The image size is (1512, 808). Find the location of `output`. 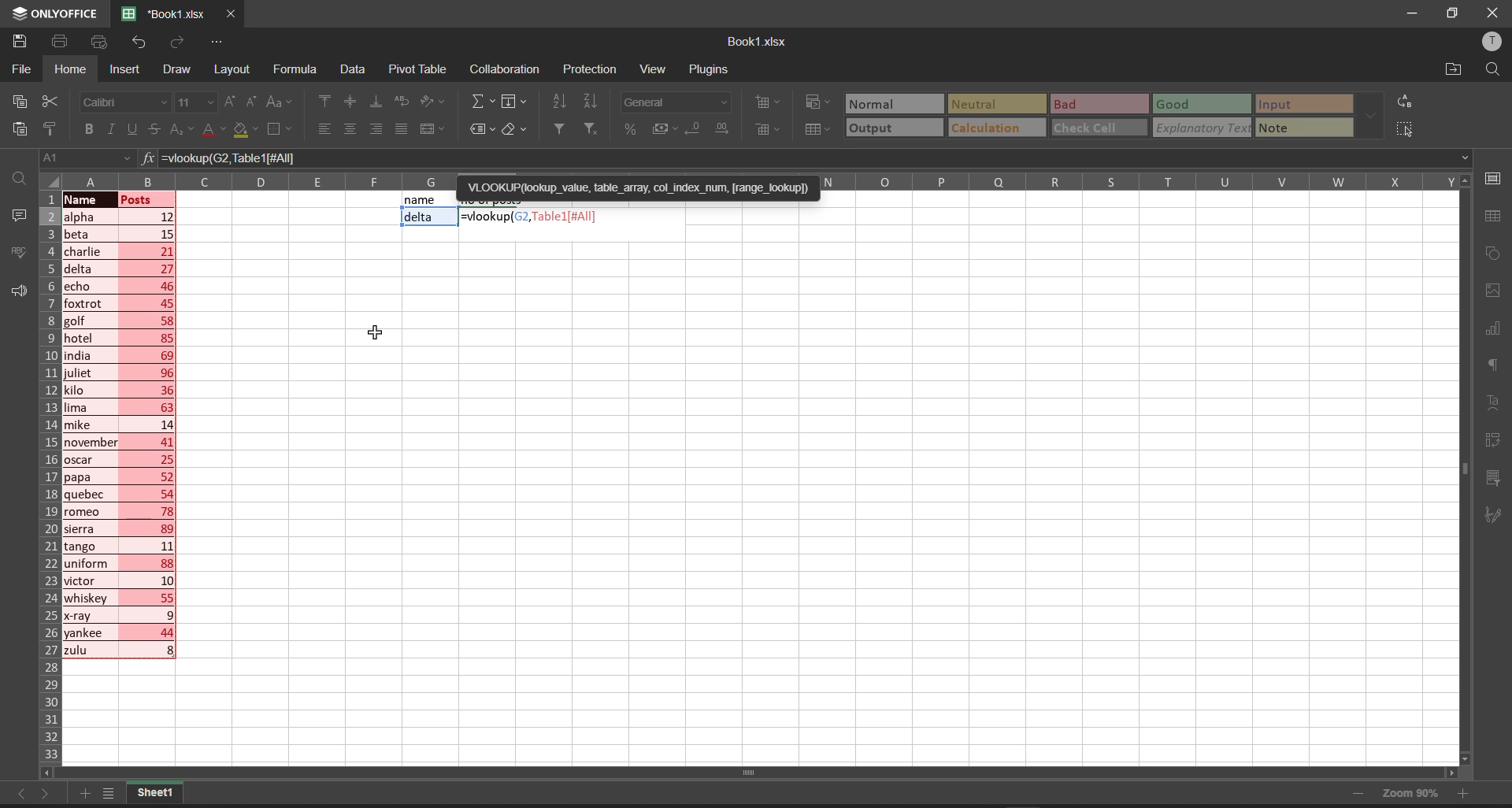

output is located at coordinates (876, 128).